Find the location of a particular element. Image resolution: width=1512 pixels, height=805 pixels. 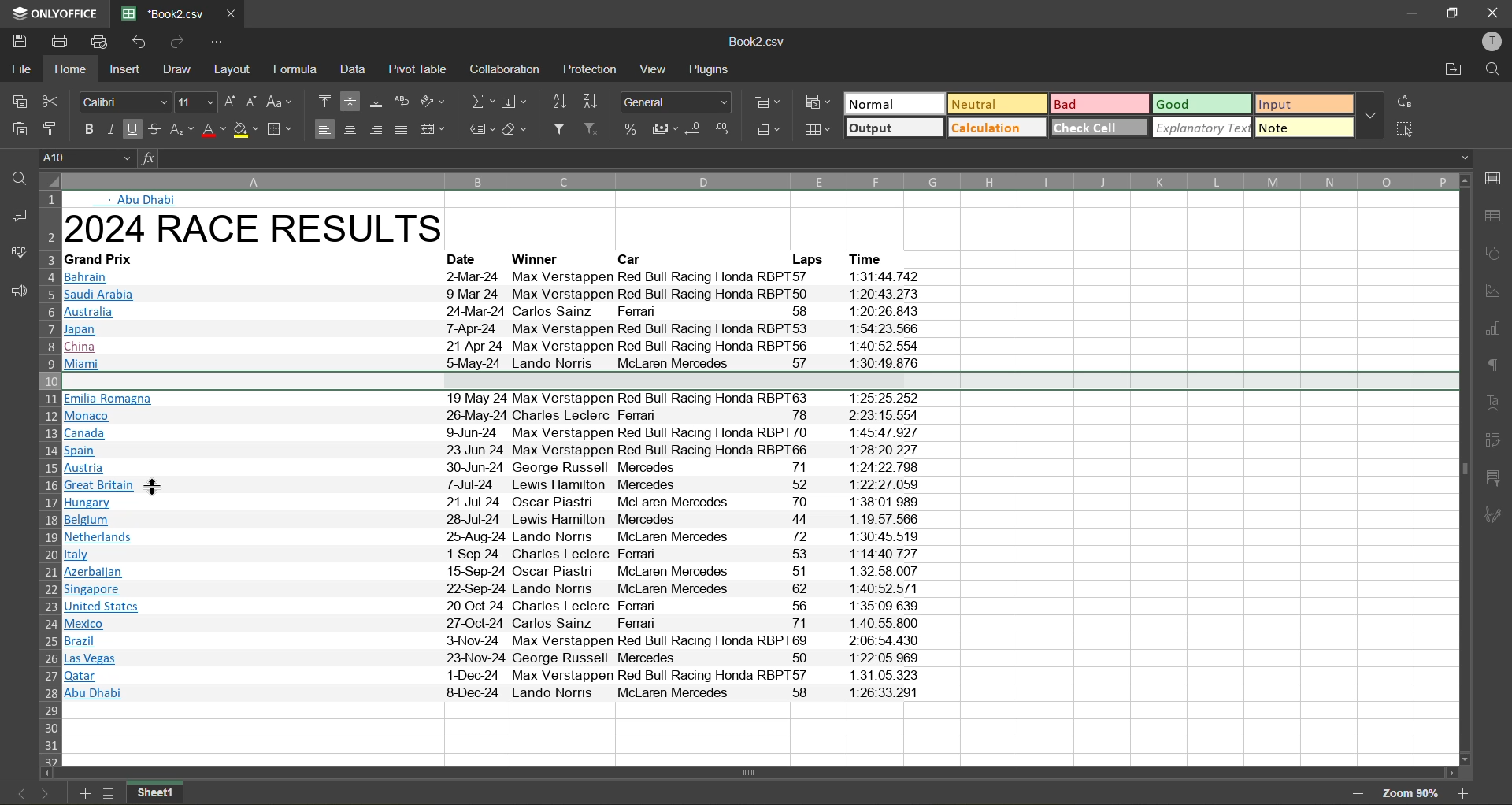

file name: Book2.csv is located at coordinates (762, 42).